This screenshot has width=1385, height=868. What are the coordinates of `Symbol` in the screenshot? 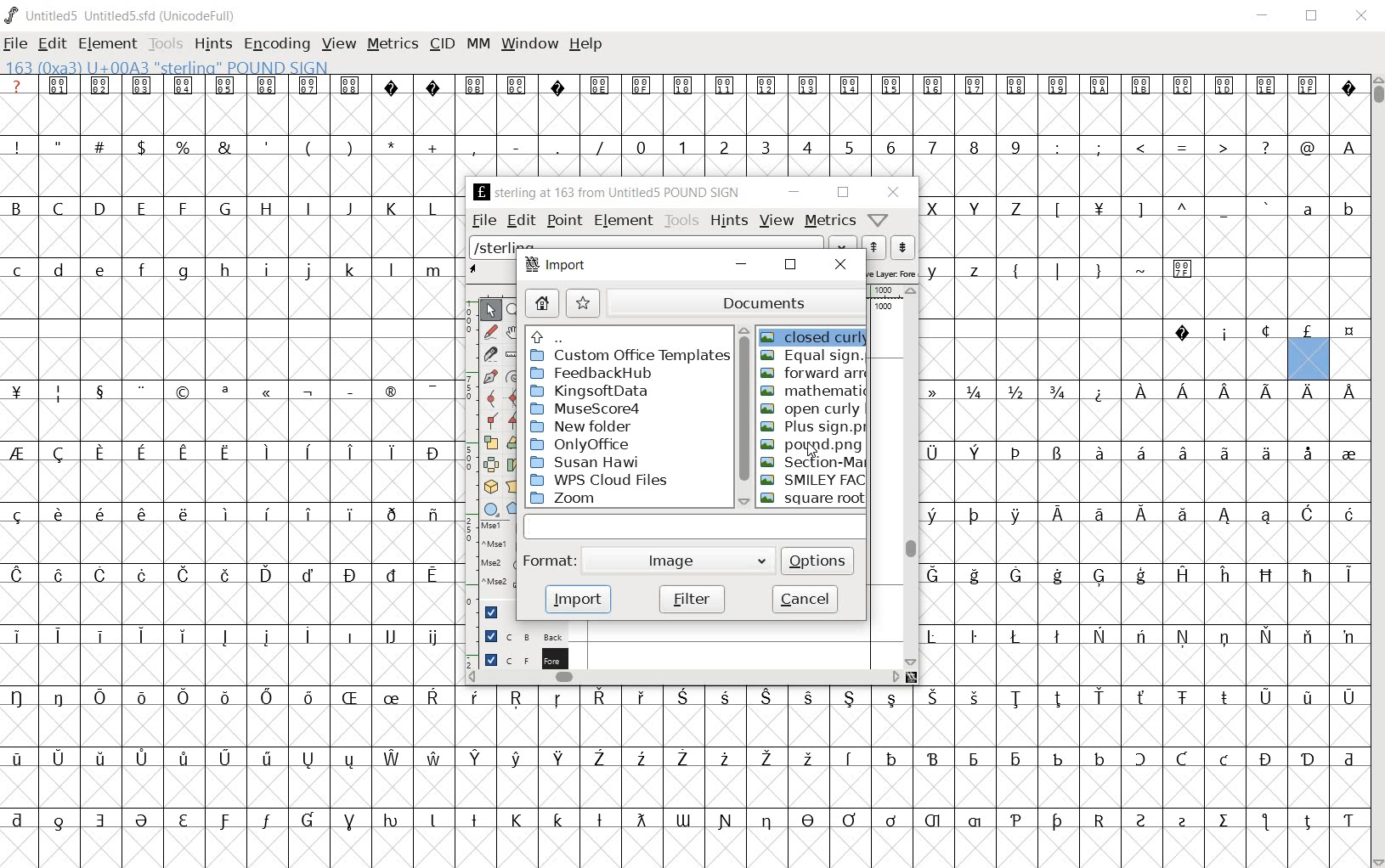 It's located at (20, 635).